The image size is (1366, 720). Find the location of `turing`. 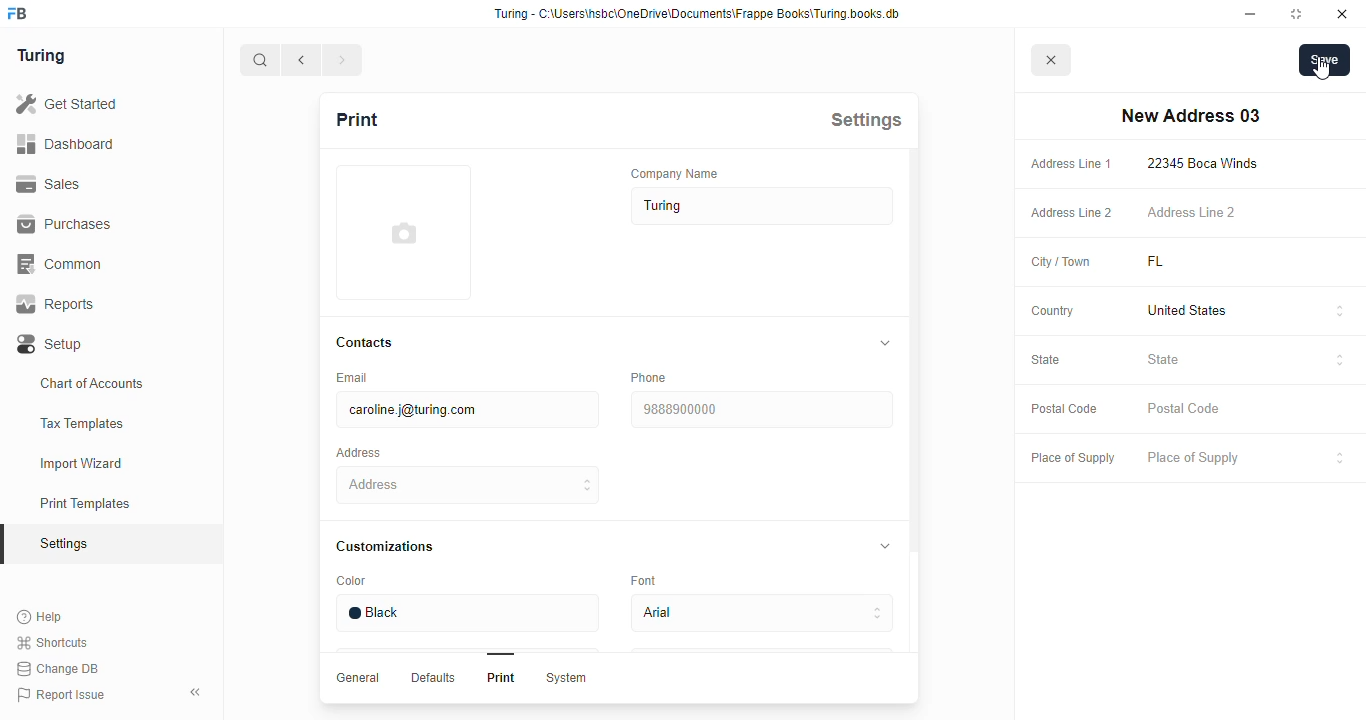

turing is located at coordinates (40, 55).